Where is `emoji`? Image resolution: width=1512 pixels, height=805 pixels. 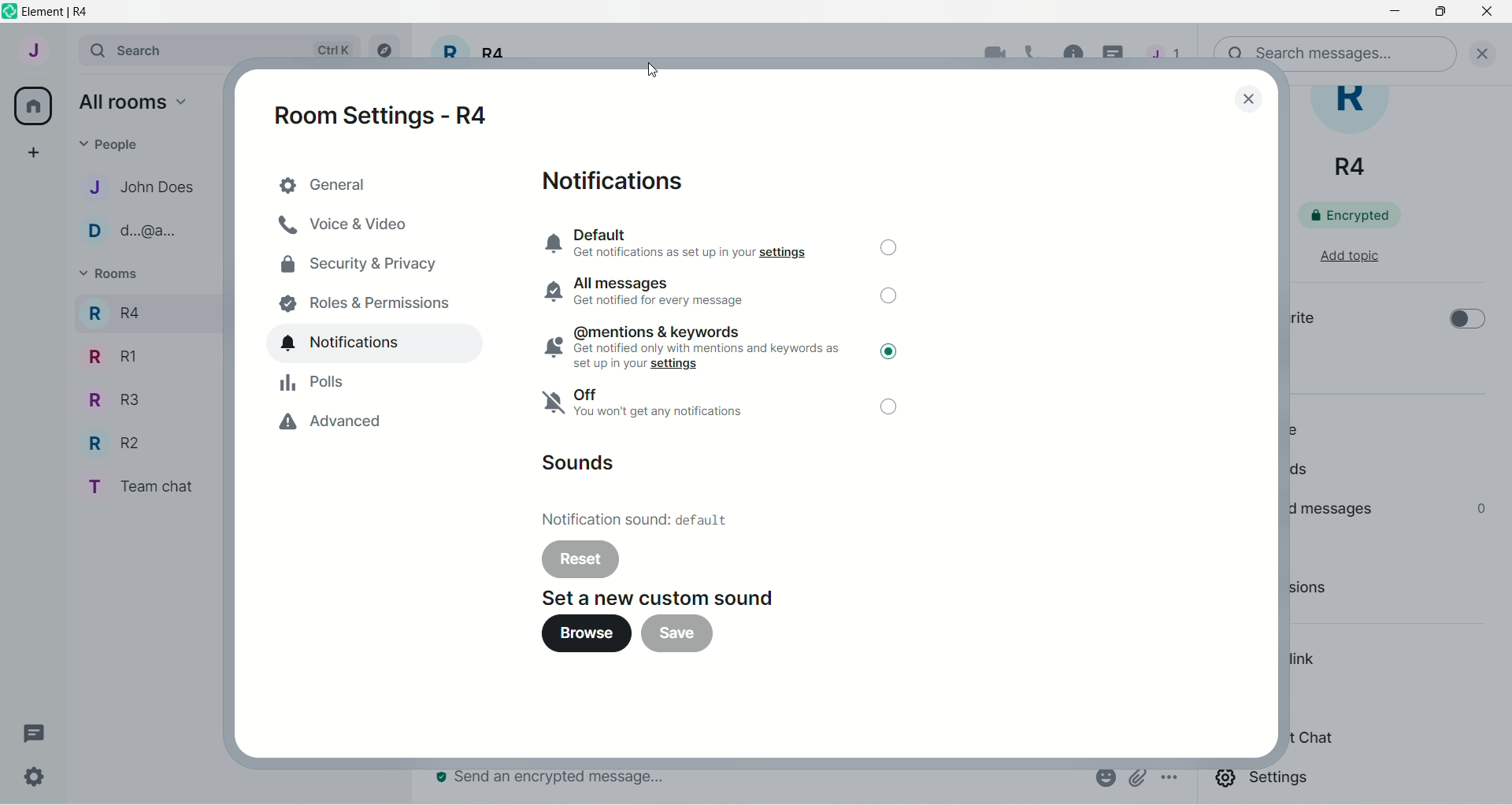 emoji is located at coordinates (1104, 777).